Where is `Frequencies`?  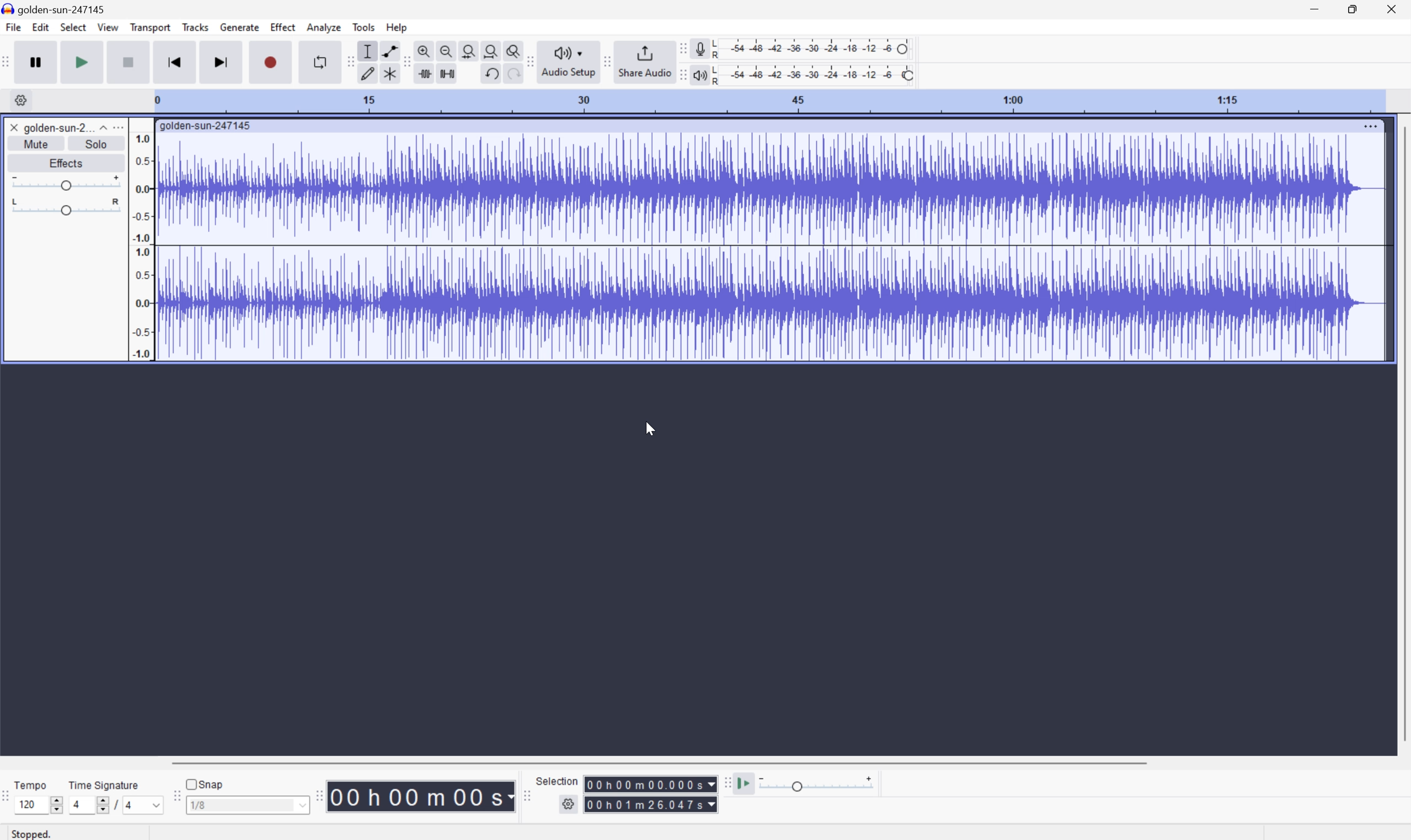
Frequencies is located at coordinates (142, 246).